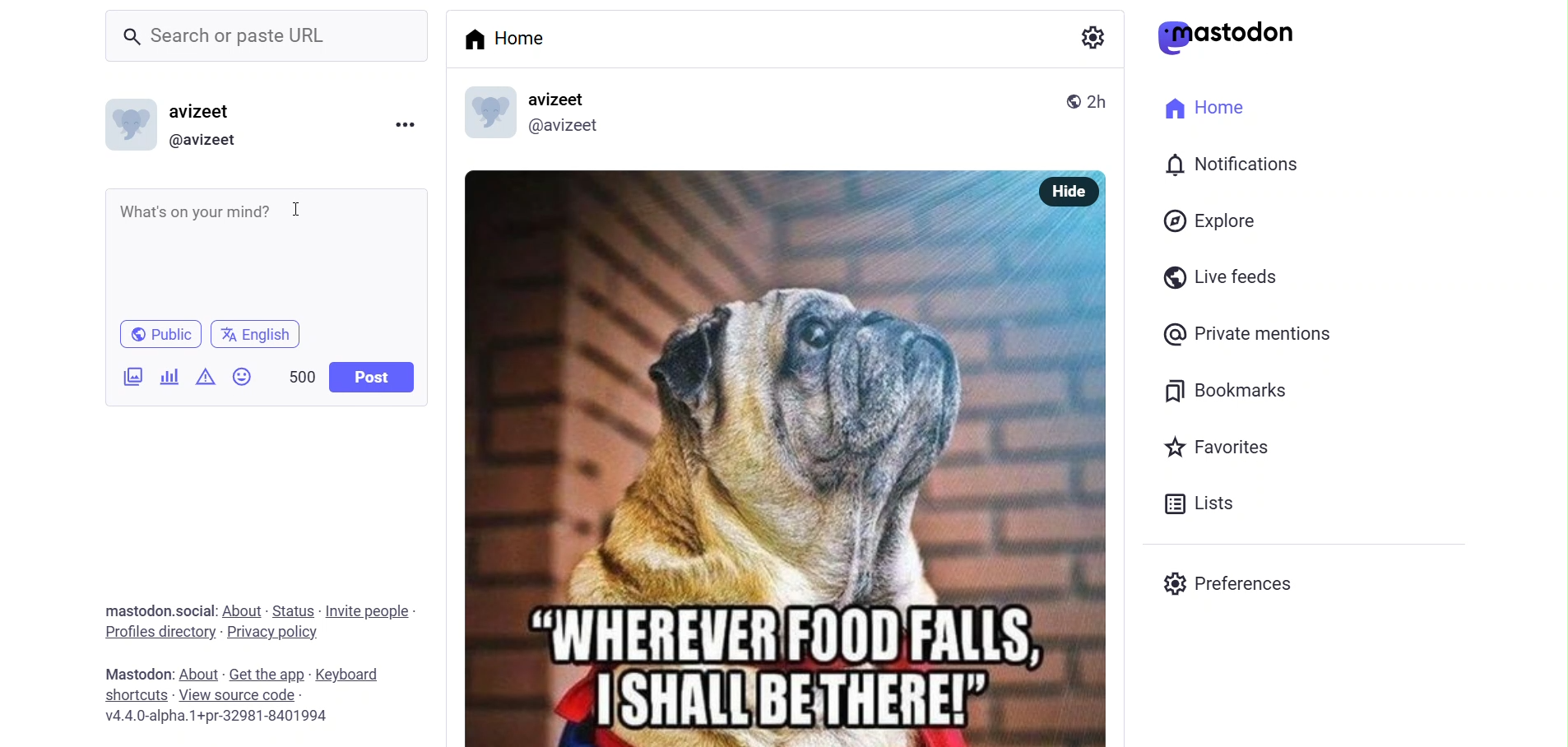  I want to click on search, so click(260, 38).